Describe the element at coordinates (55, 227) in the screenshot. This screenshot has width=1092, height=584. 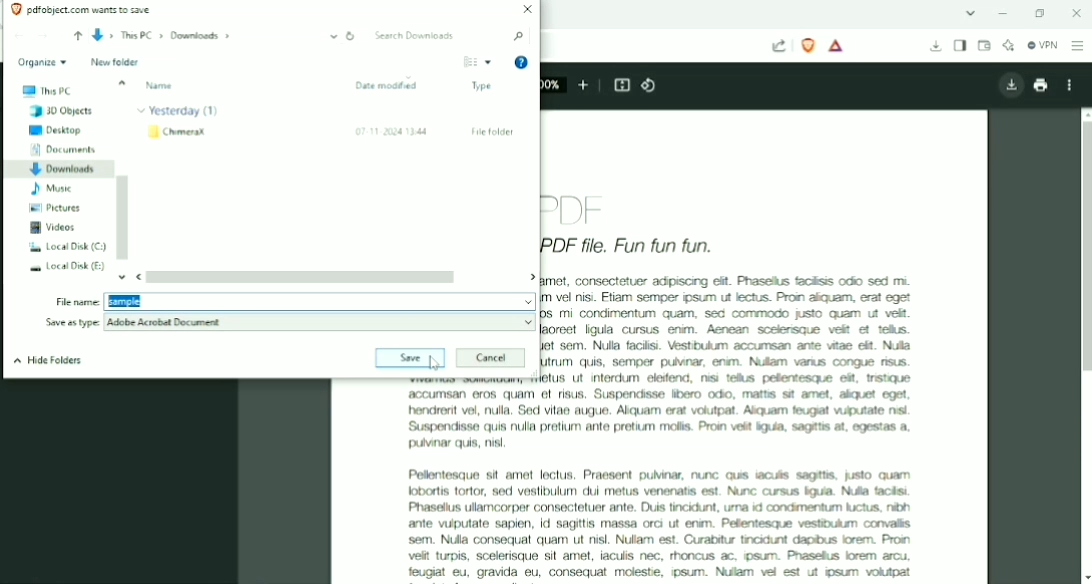
I see `Videos` at that location.